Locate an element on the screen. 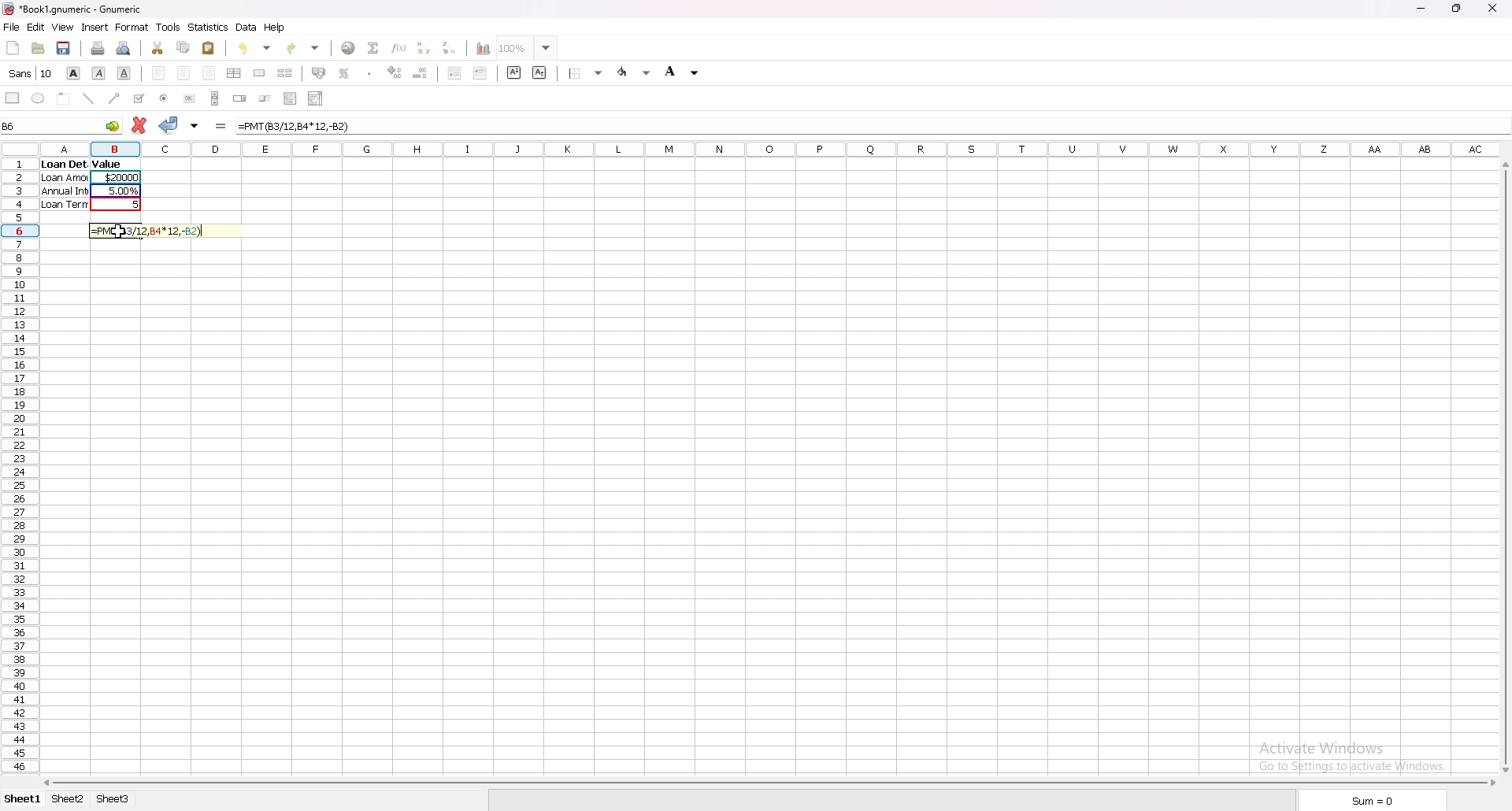 The width and height of the screenshot is (1512, 811). arrowed line is located at coordinates (116, 98).